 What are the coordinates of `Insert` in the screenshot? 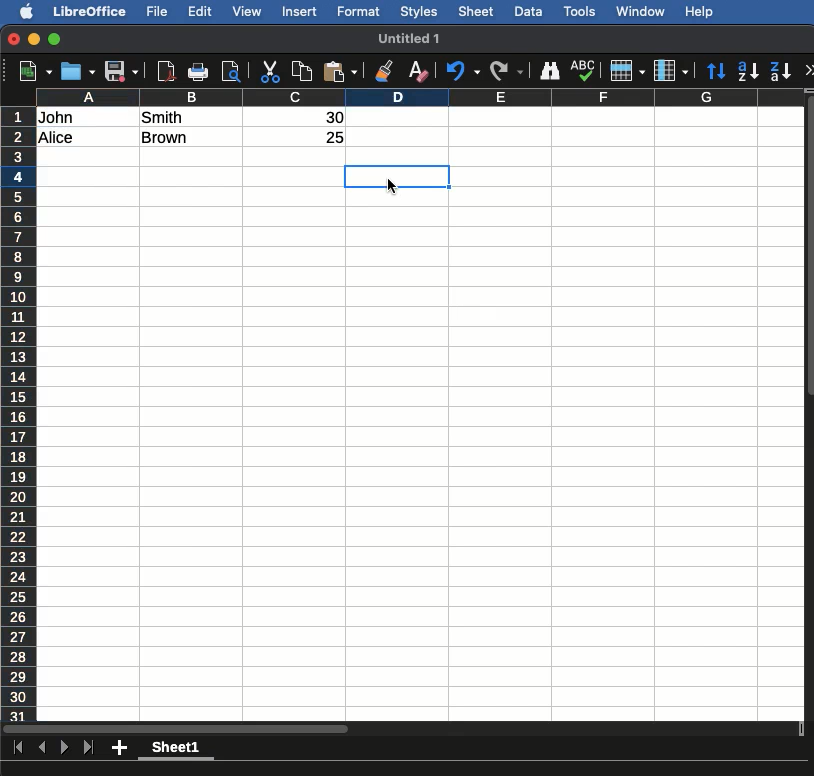 It's located at (301, 14).